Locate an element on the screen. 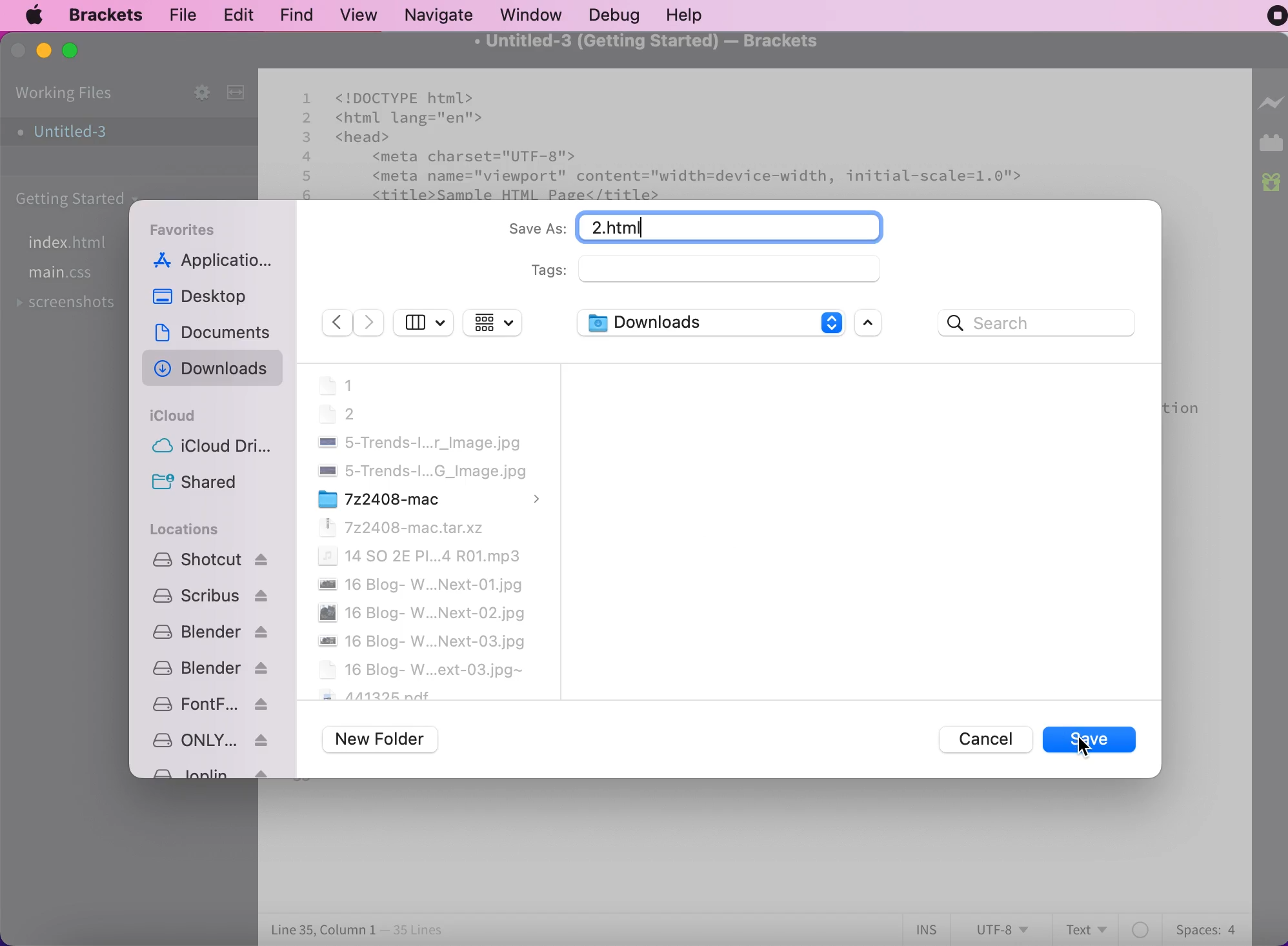  window is located at coordinates (533, 14).